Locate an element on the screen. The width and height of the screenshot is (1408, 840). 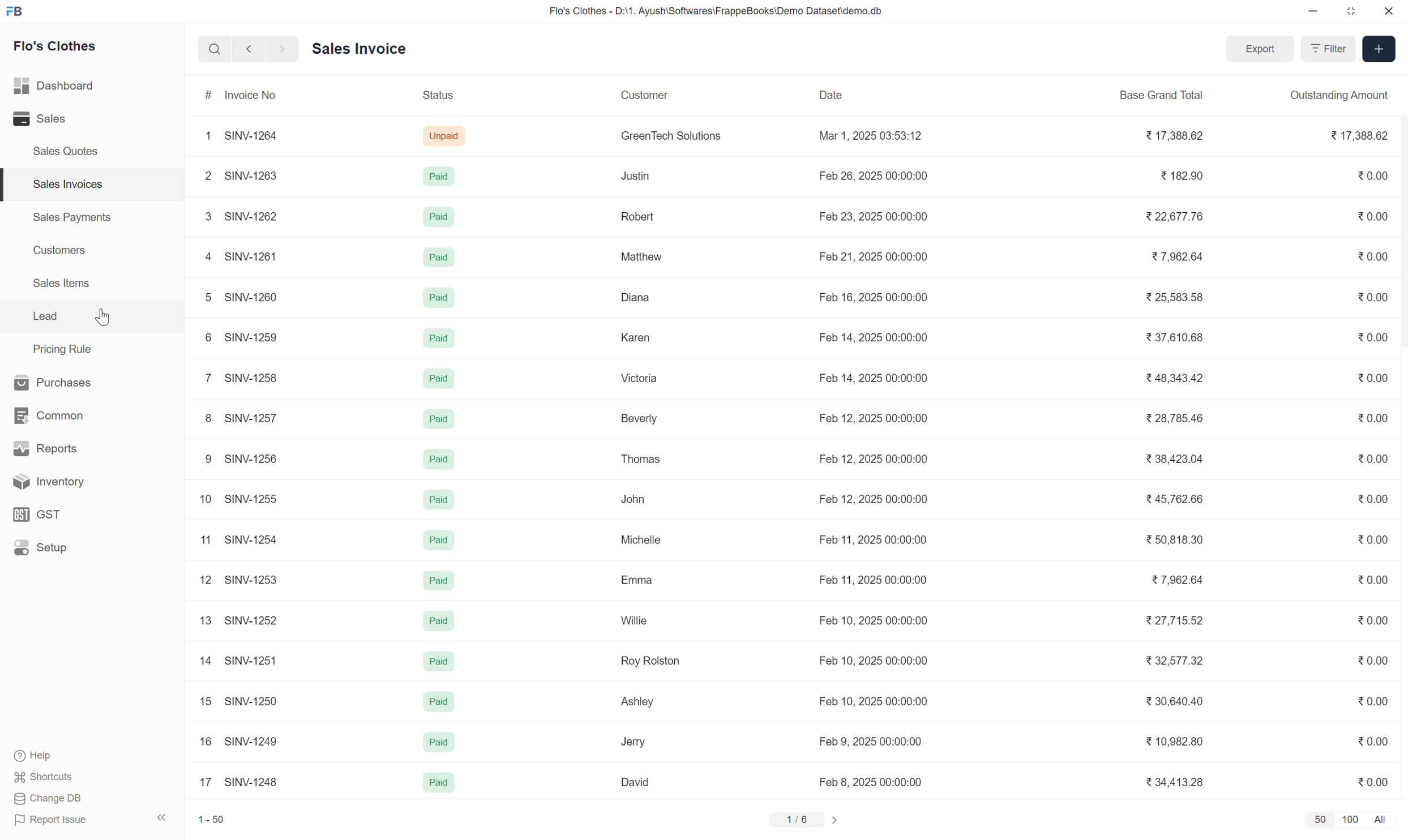
2 is located at coordinates (203, 176).